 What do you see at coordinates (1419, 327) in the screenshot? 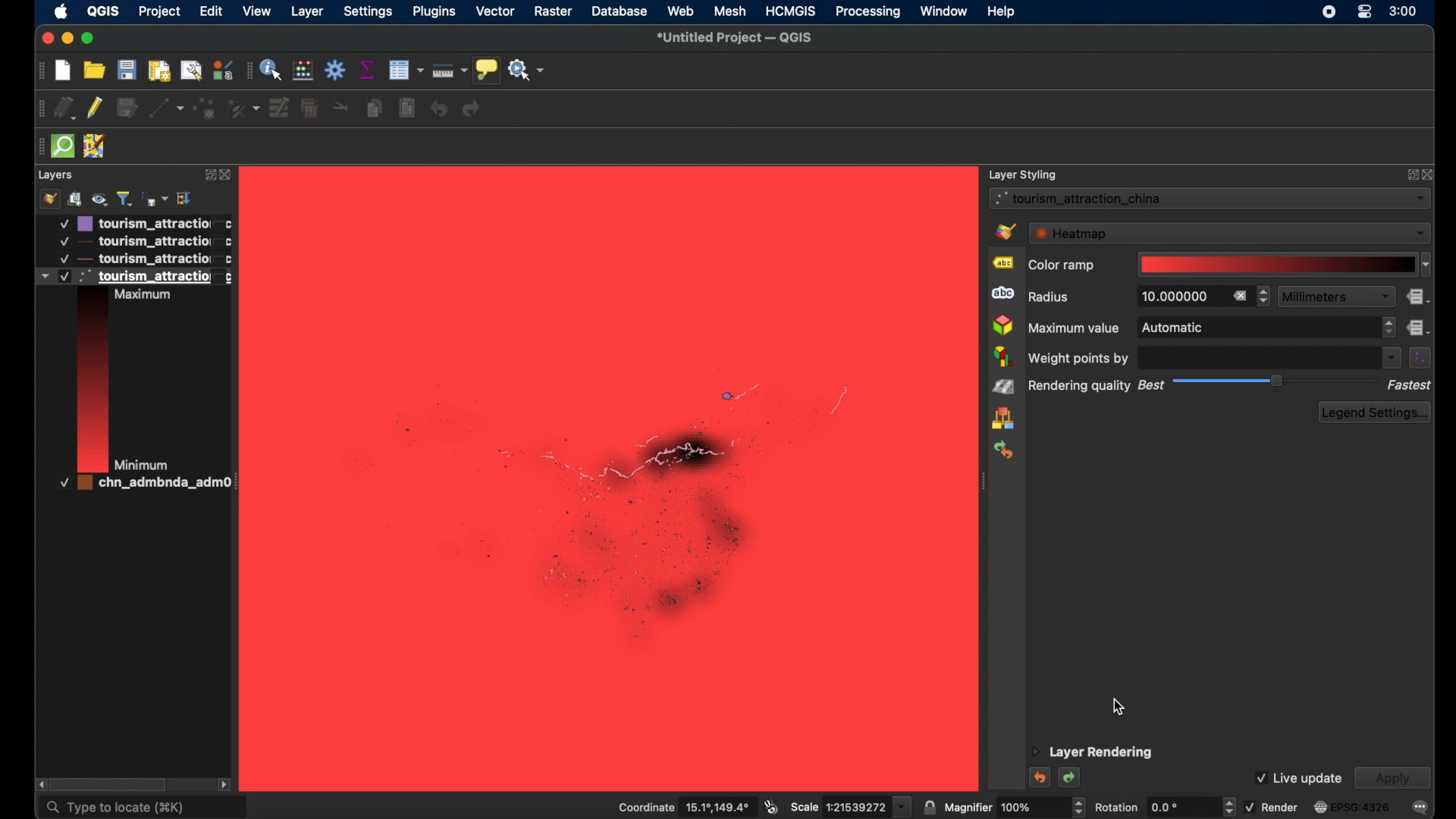
I see `data defined override` at bounding box center [1419, 327].